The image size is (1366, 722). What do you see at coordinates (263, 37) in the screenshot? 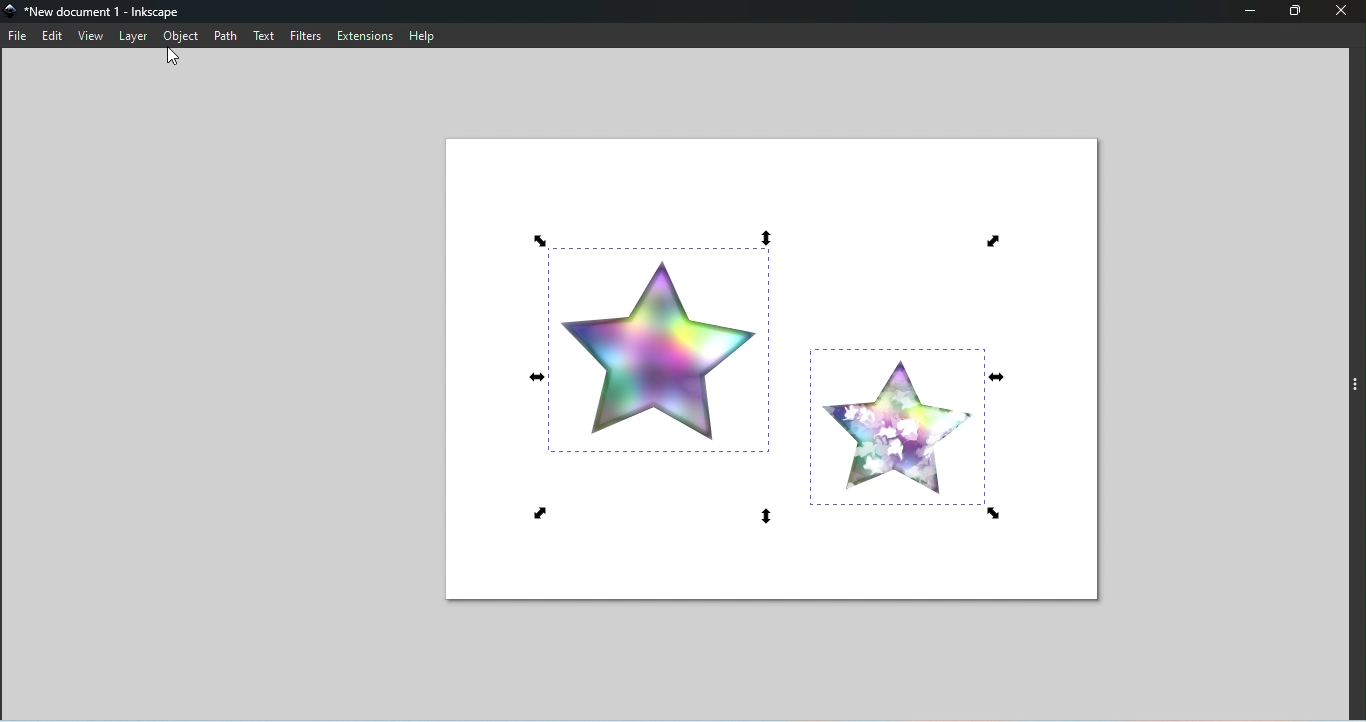
I see `Text` at bounding box center [263, 37].